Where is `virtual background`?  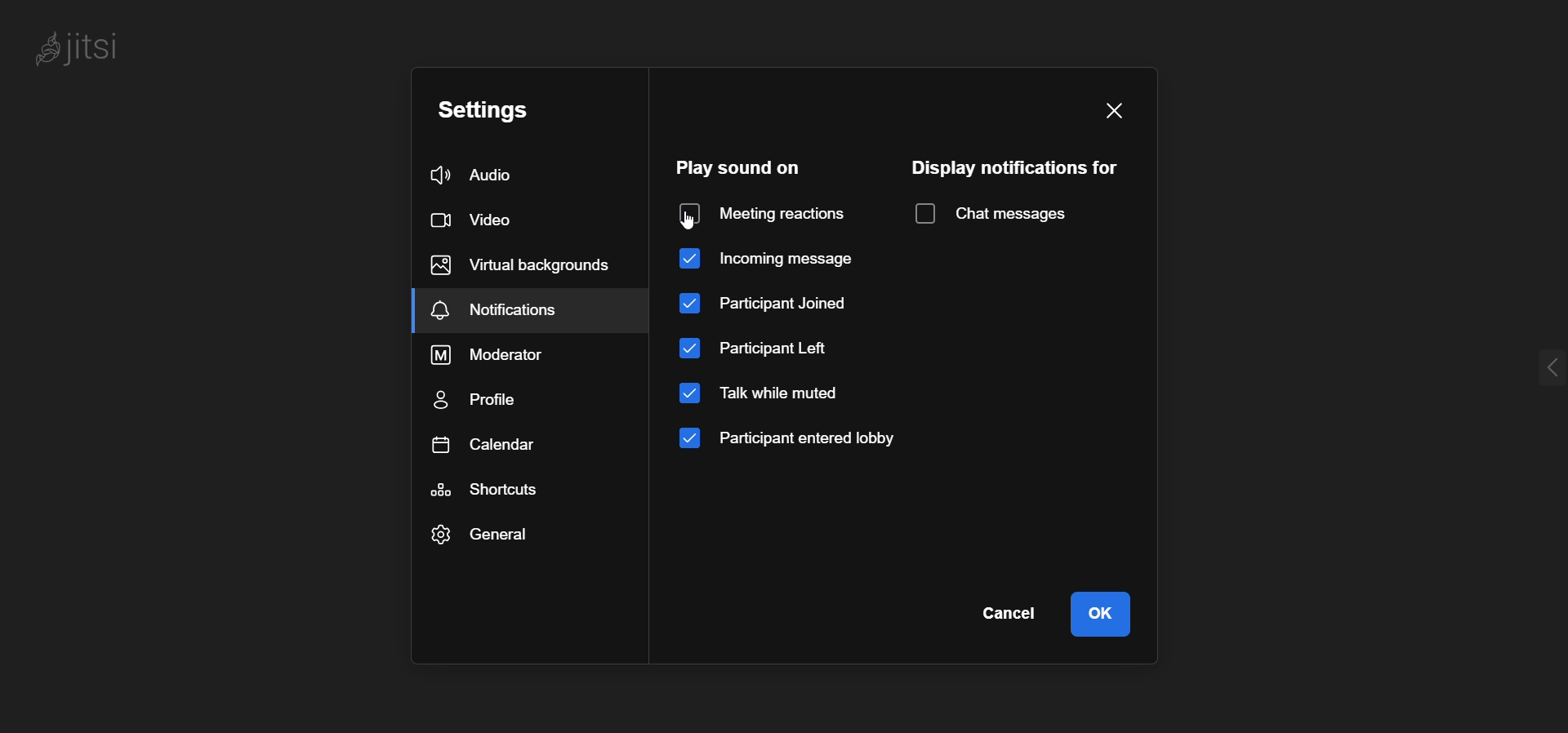 virtual background is located at coordinates (521, 262).